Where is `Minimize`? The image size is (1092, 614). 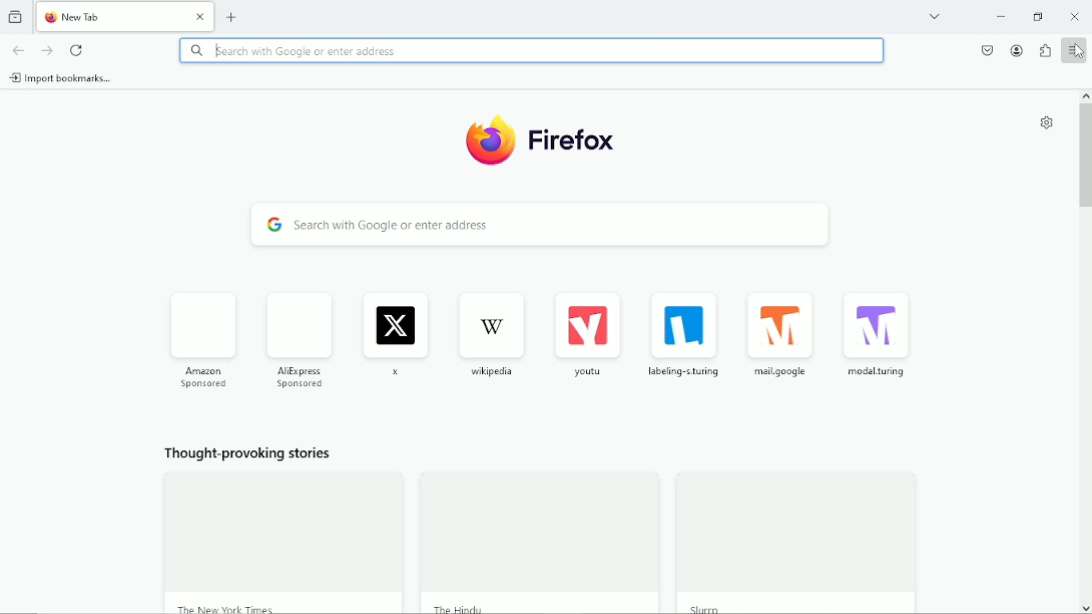 Minimize is located at coordinates (1003, 17).